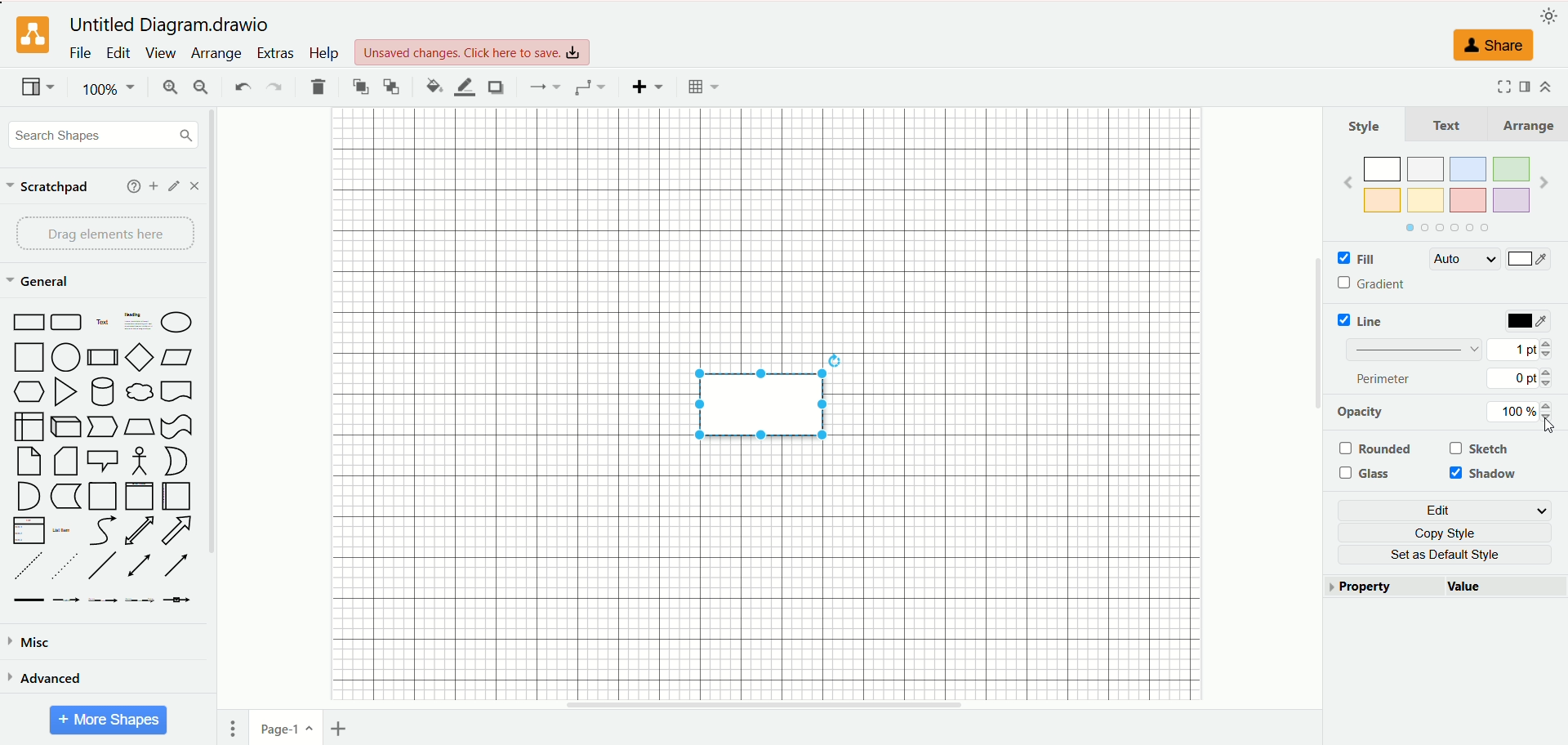  What do you see at coordinates (233, 729) in the screenshot?
I see `pages` at bounding box center [233, 729].